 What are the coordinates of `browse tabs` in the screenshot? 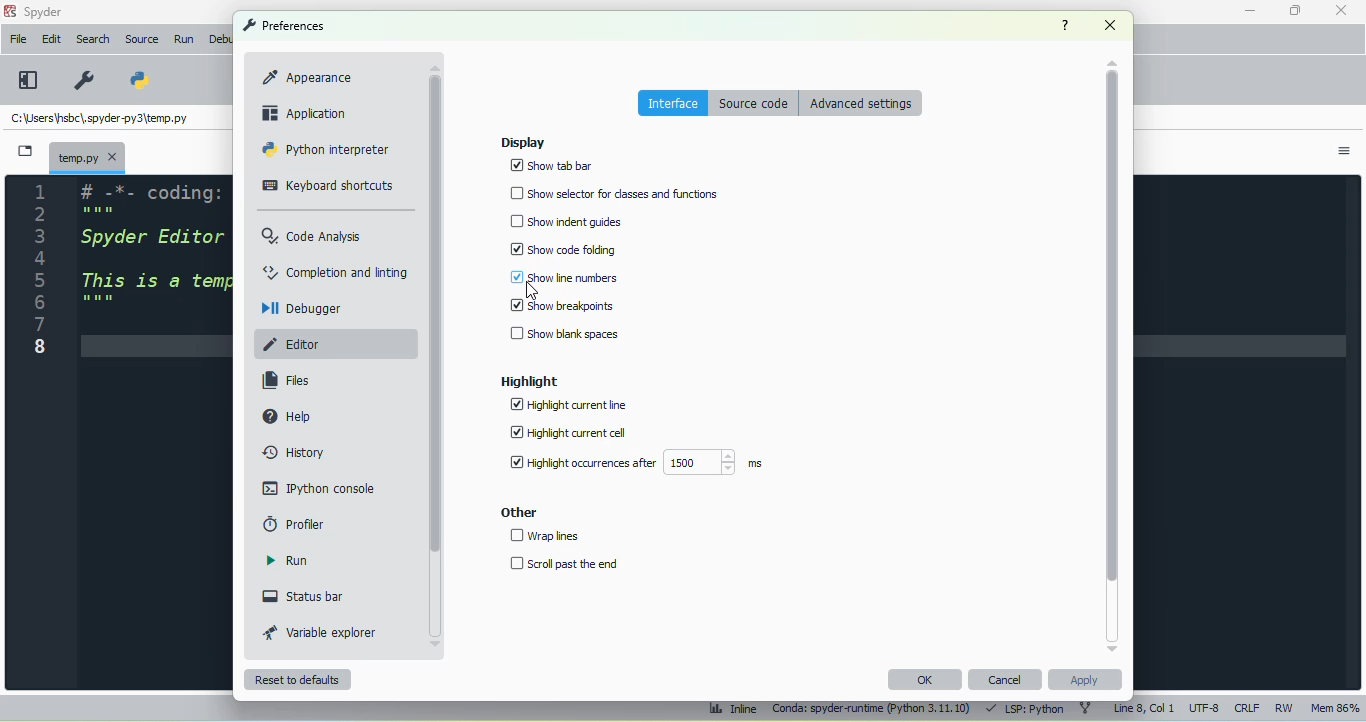 It's located at (24, 151).